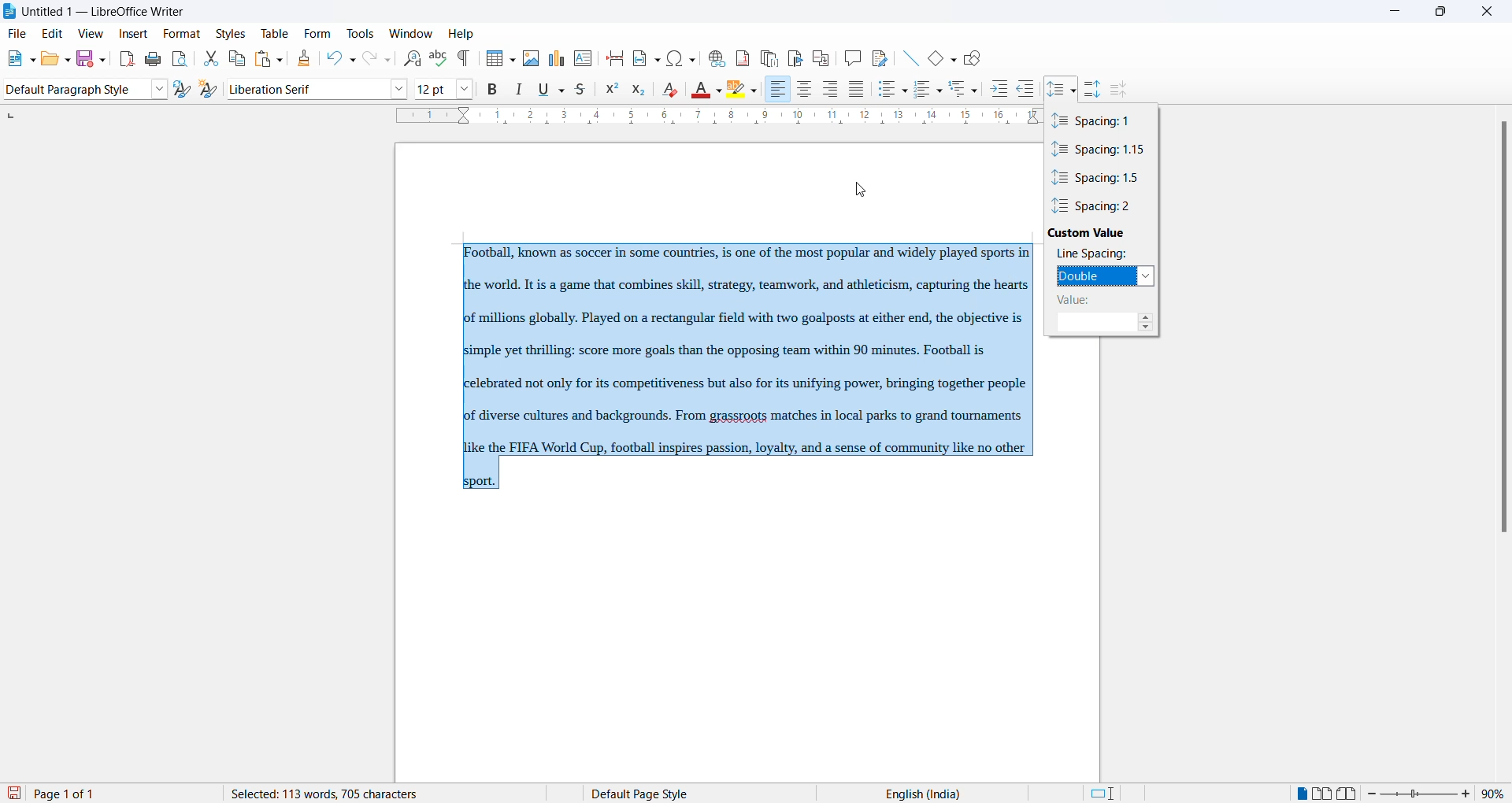  I want to click on standard selection, so click(1102, 794).